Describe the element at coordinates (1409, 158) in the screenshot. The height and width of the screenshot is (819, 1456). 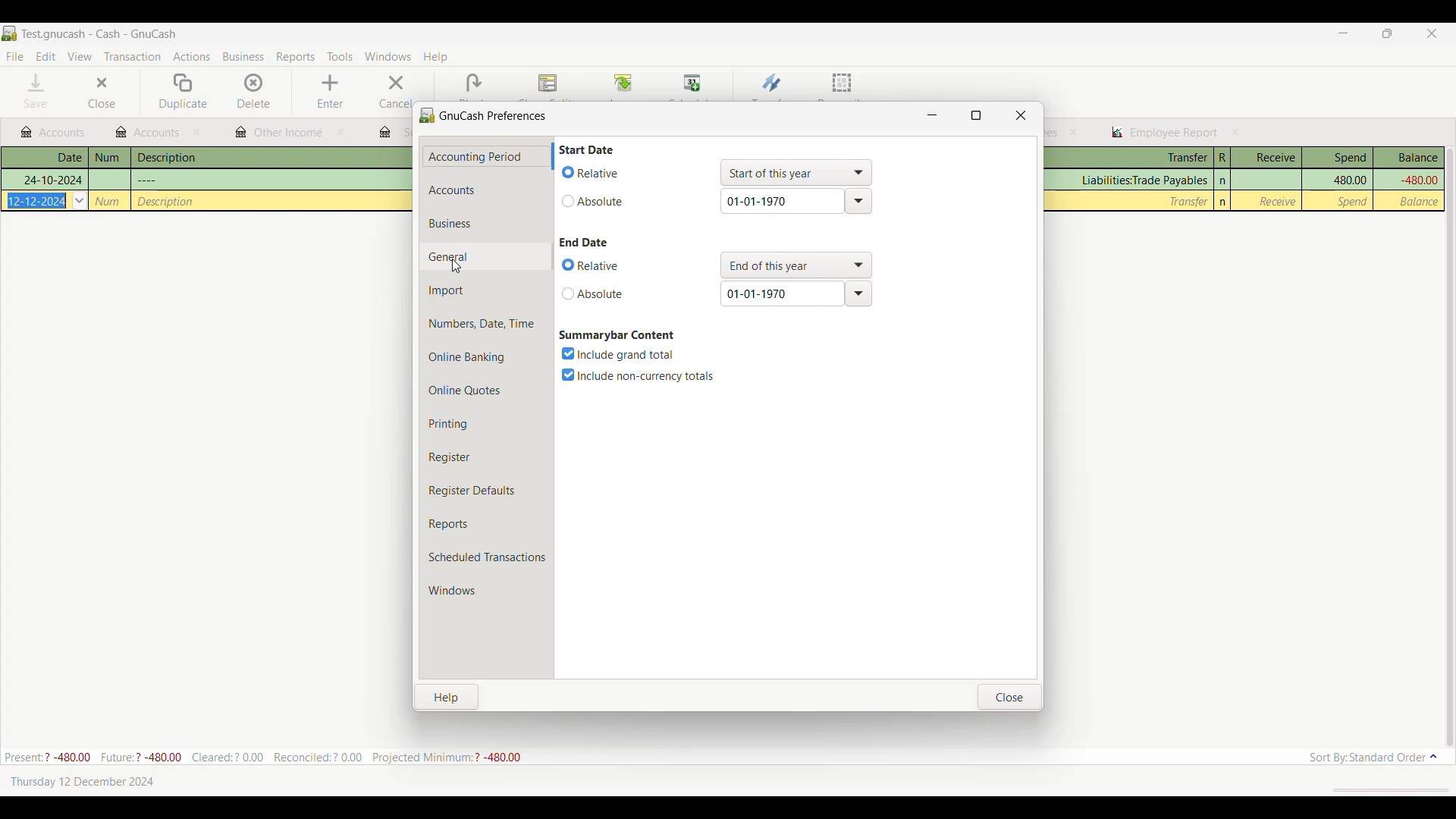
I see `Balance column` at that location.